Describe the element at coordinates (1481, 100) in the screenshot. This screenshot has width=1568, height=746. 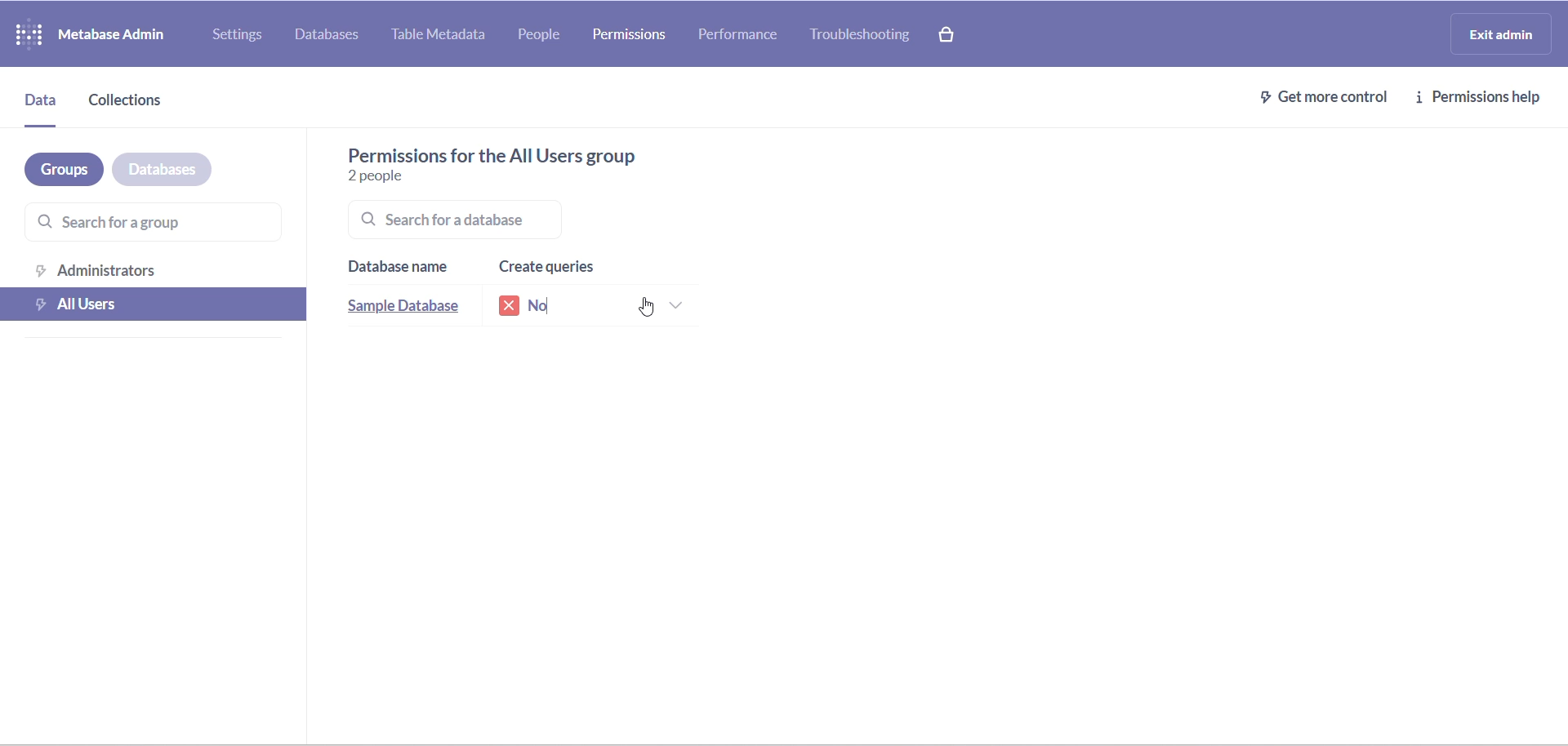
I see `permission help` at that location.